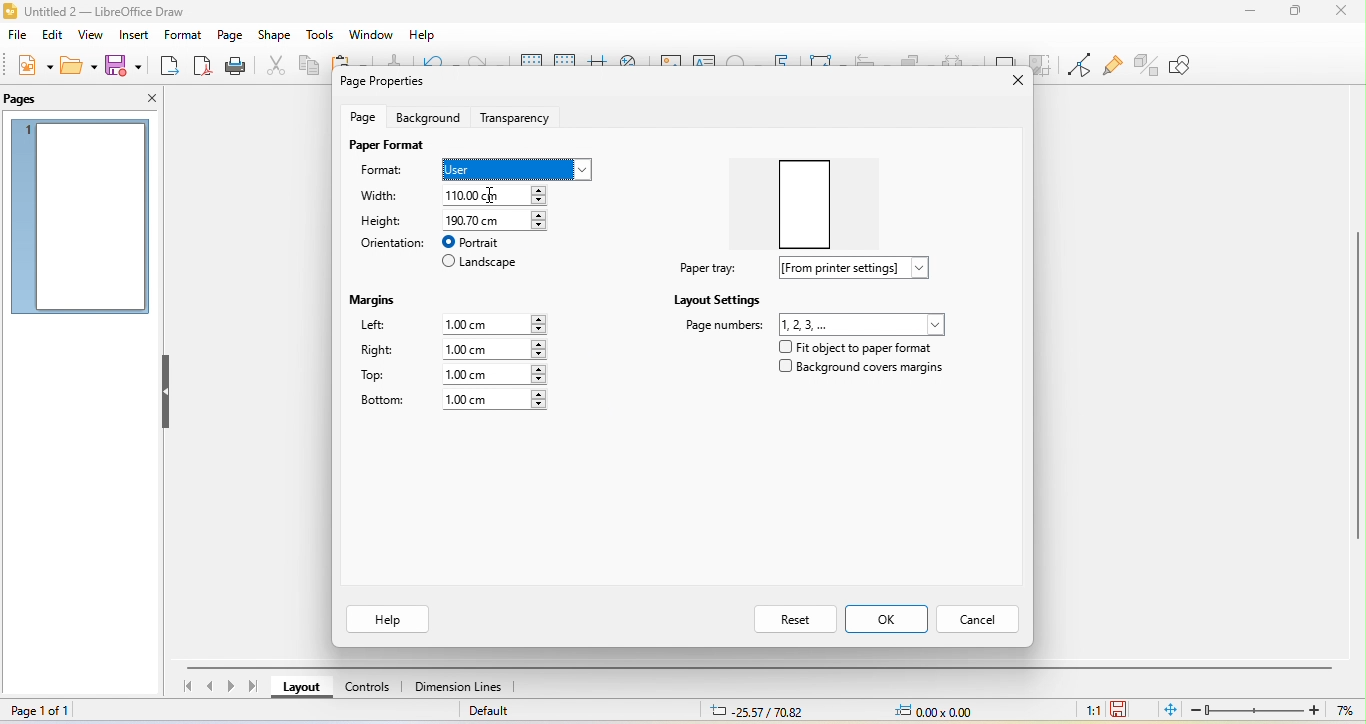 This screenshot has height=724, width=1366. What do you see at coordinates (862, 371) in the screenshot?
I see `background cover margins` at bounding box center [862, 371].